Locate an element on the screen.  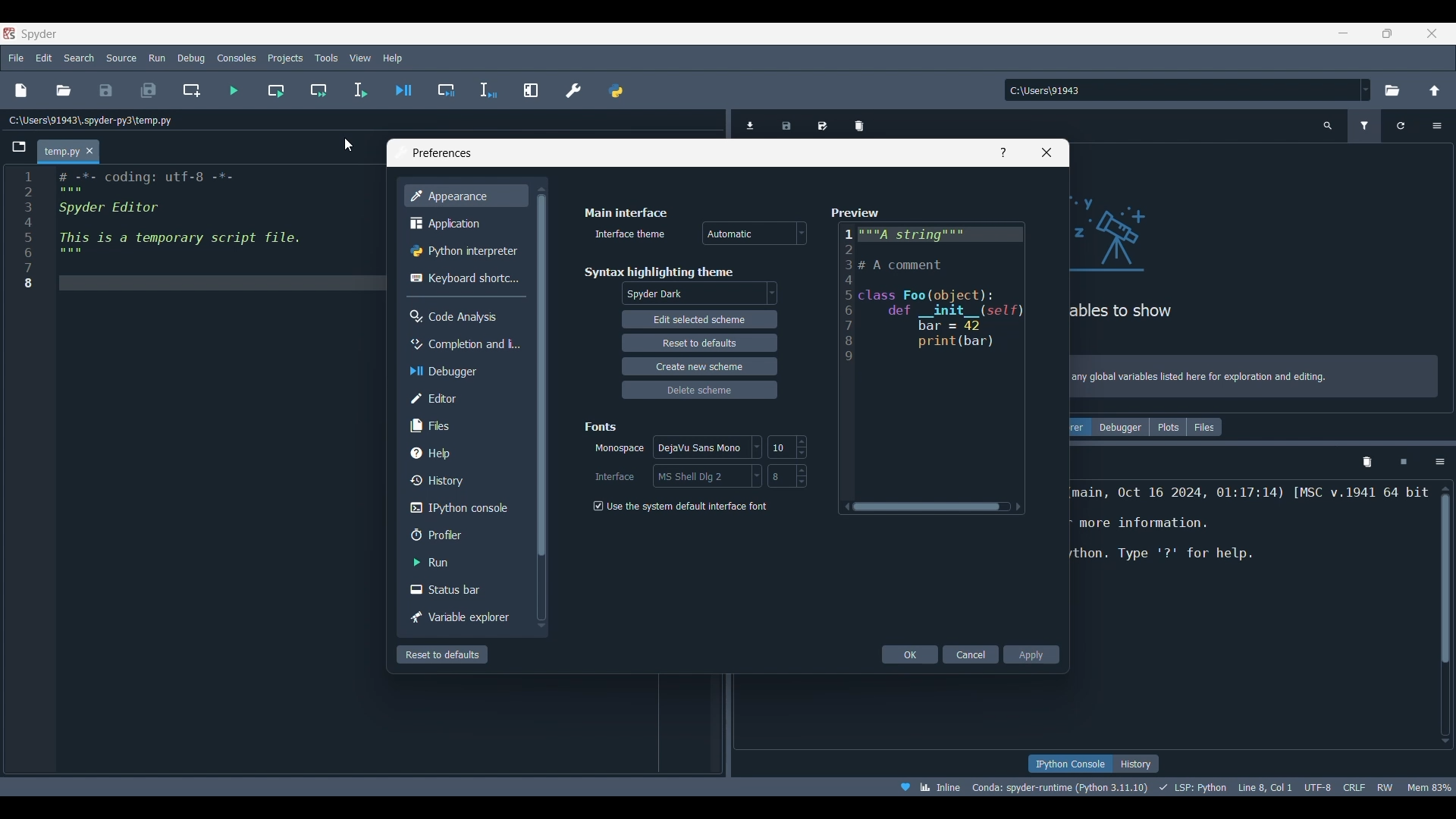
debugger is located at coordinates (451, 371).